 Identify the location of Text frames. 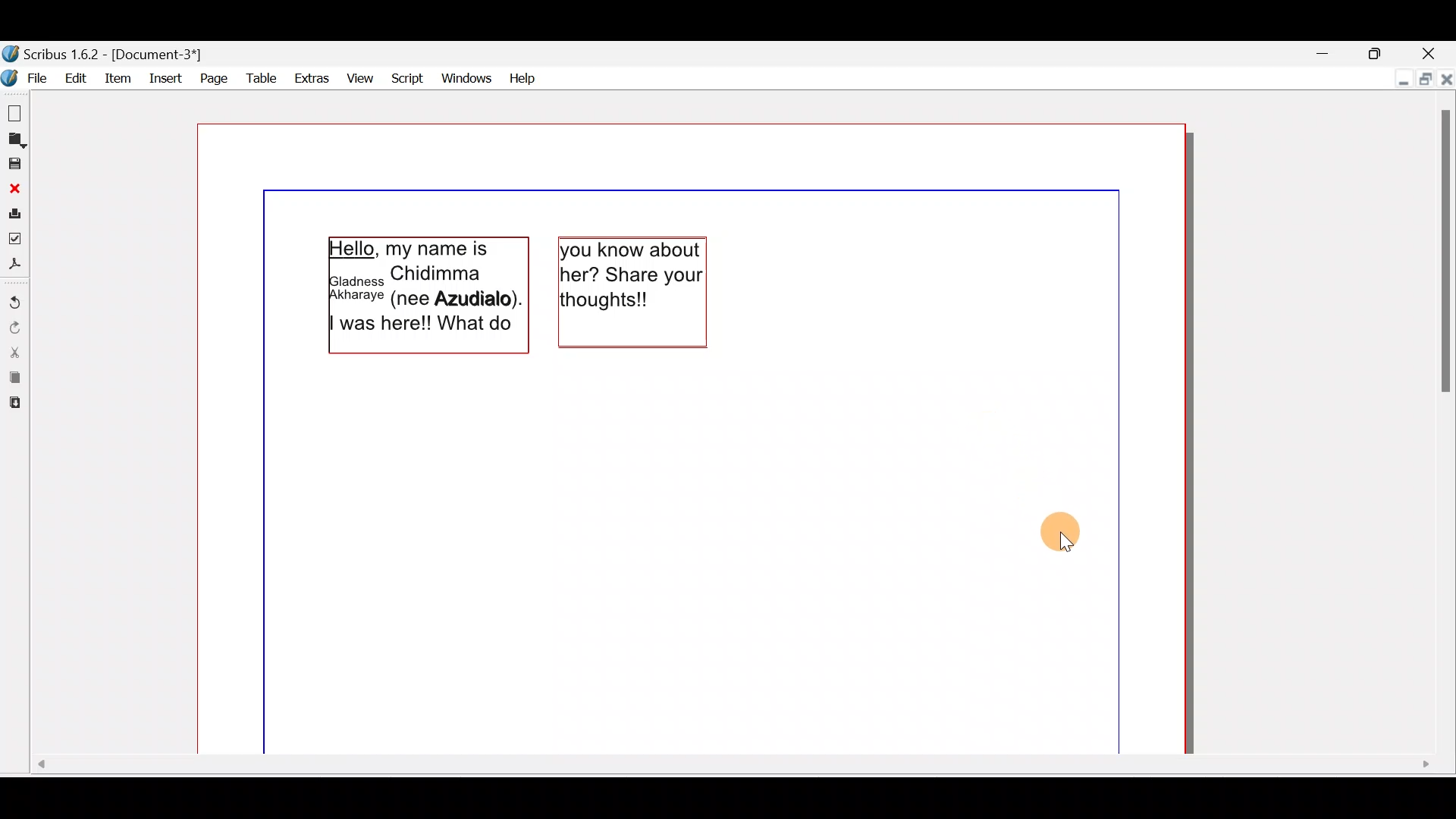
(518, 292).